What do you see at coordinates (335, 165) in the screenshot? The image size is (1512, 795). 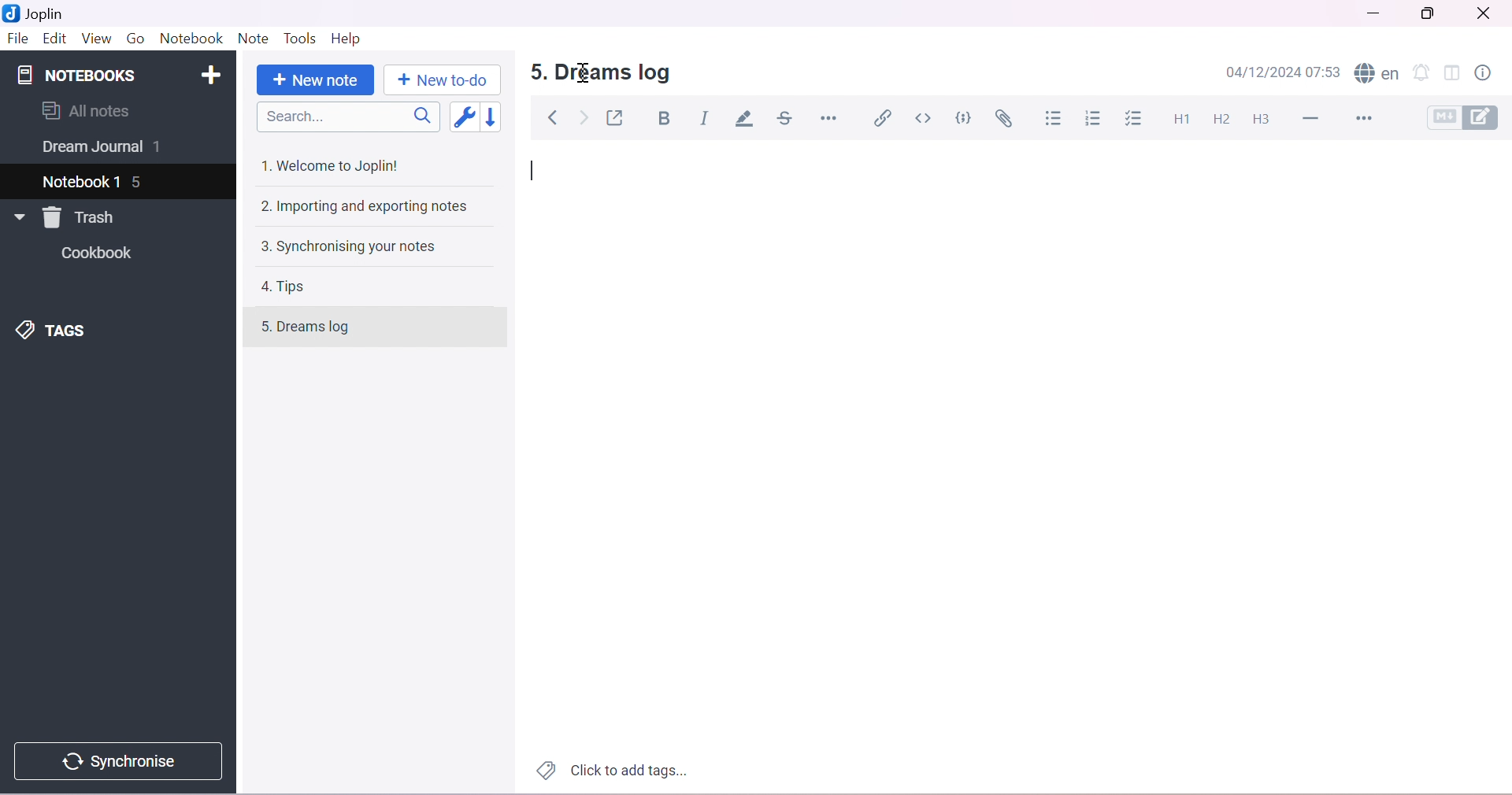 I see `1. Welcome to Joplin!` at bounding box center [335, 165].